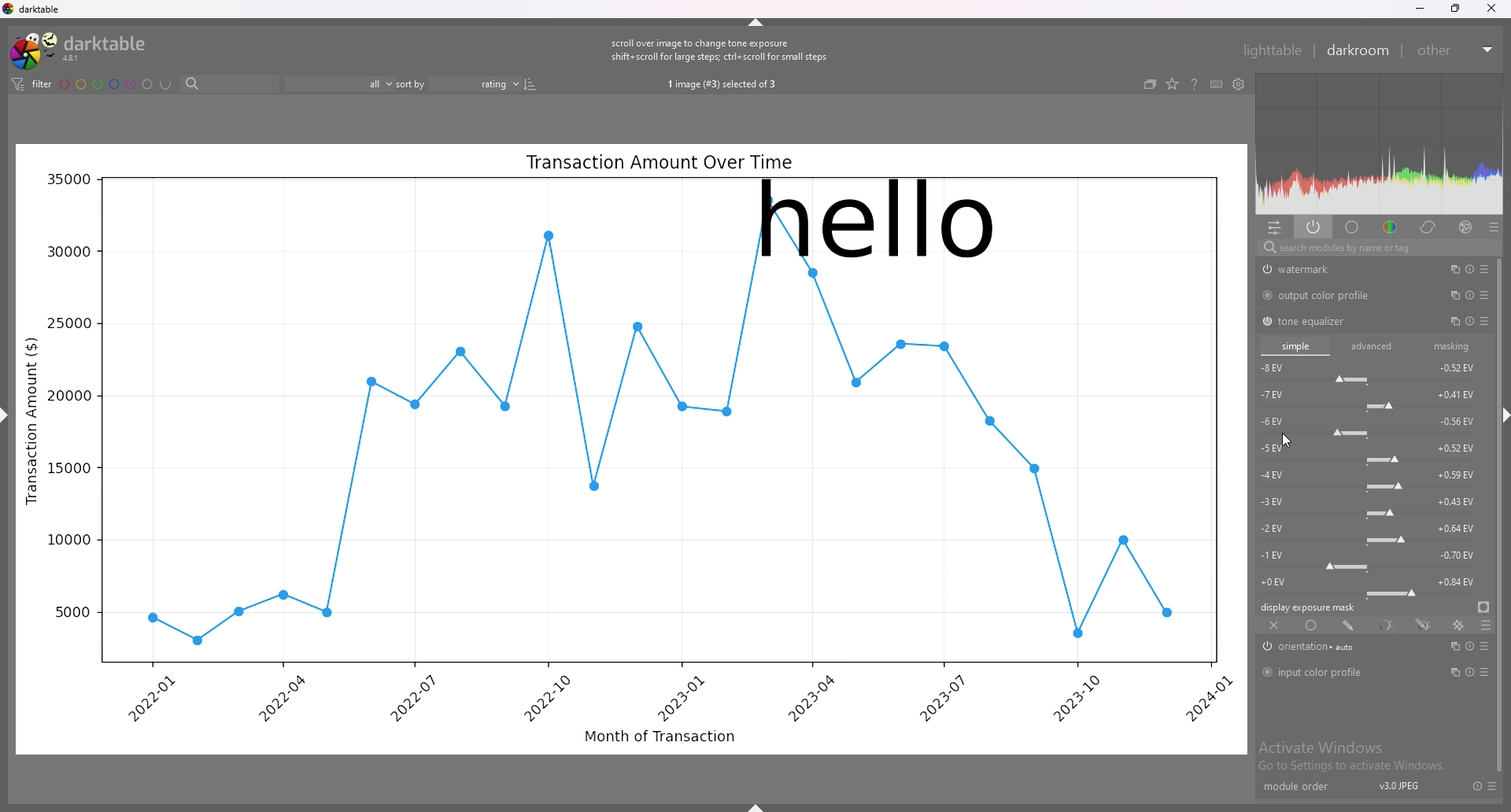 This screenshot has width=1511, height=812. I want to click on cursor, so click(1285, 440).